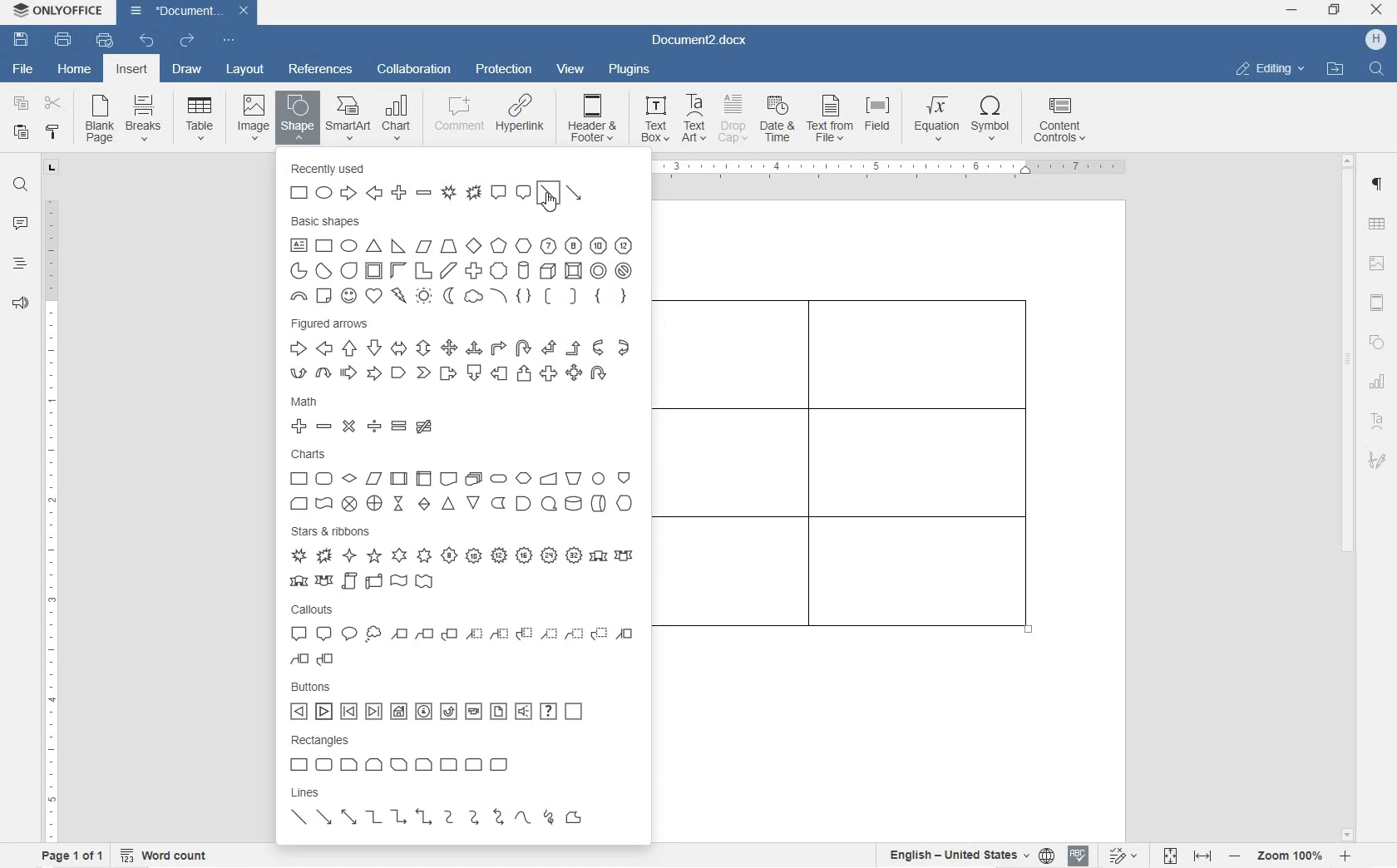 This screenshot has width=1397, height=868. What do you see at coordinates (448, 415) in the screenshot?
I see `math` at bounding box center [448, 415].